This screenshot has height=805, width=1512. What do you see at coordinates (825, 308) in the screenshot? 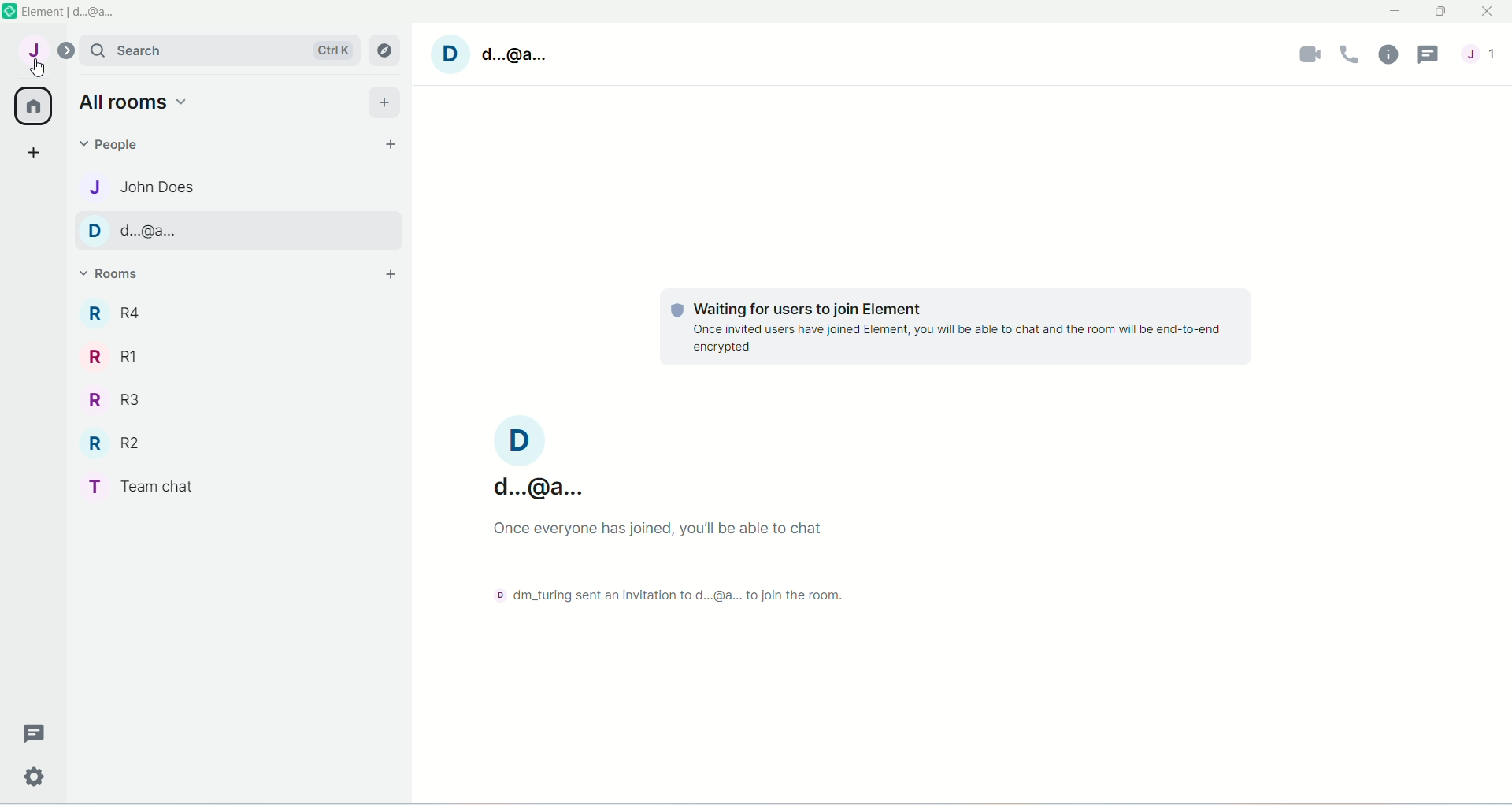
I see `waiting for users to join element` at bounding box center [825, 308].